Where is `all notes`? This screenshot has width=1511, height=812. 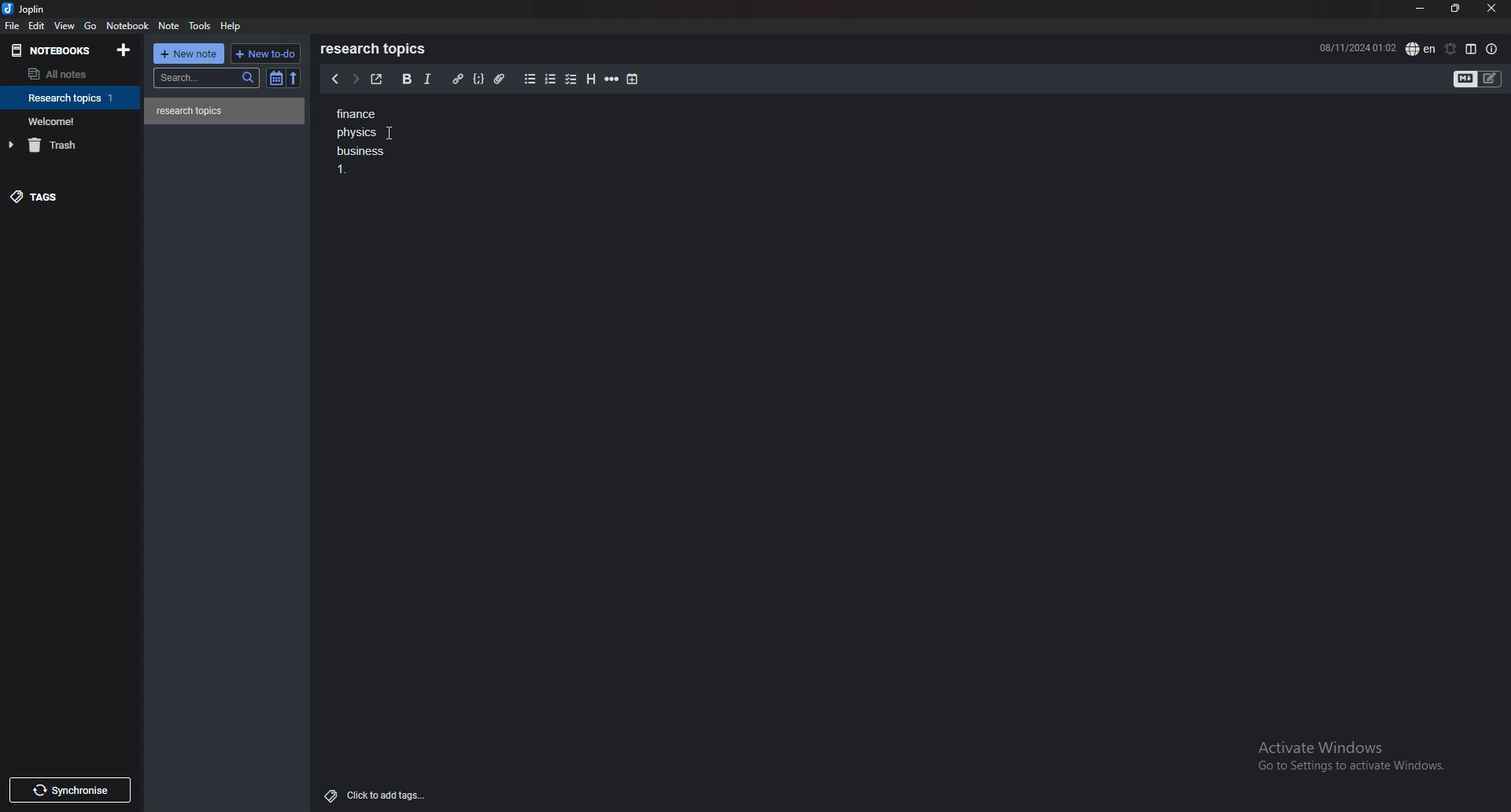 all notes is located at coordinates (65, 75).